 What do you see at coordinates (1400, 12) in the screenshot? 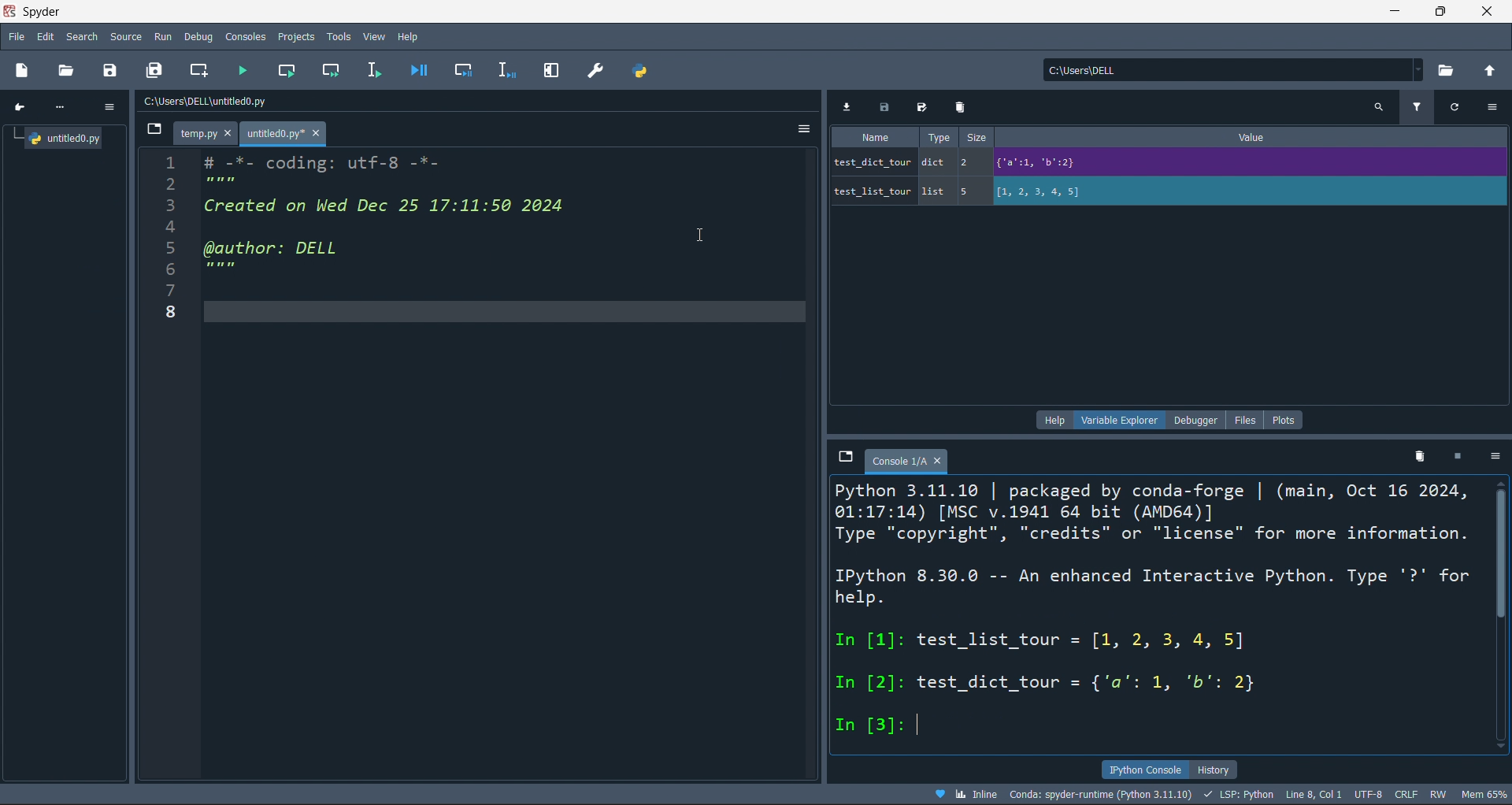
I see `minimize` at bounding box center [1400, 12].